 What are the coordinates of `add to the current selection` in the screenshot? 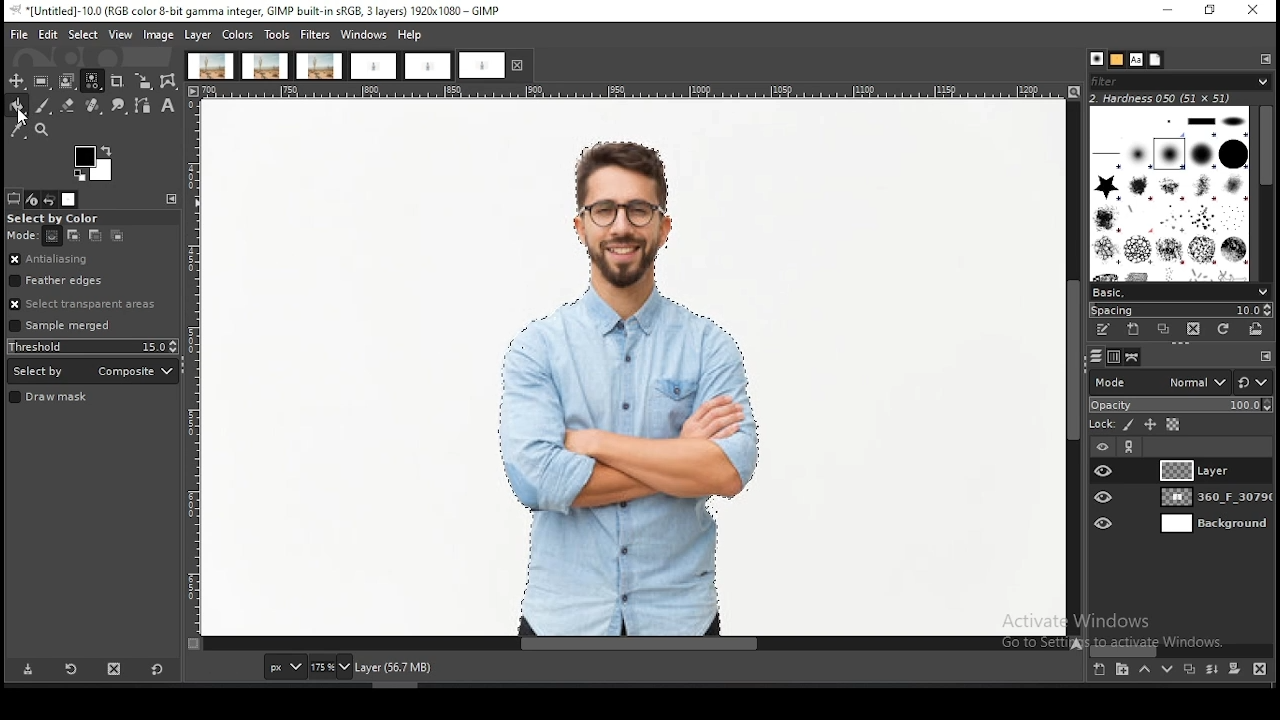 It's located at (71, 236).